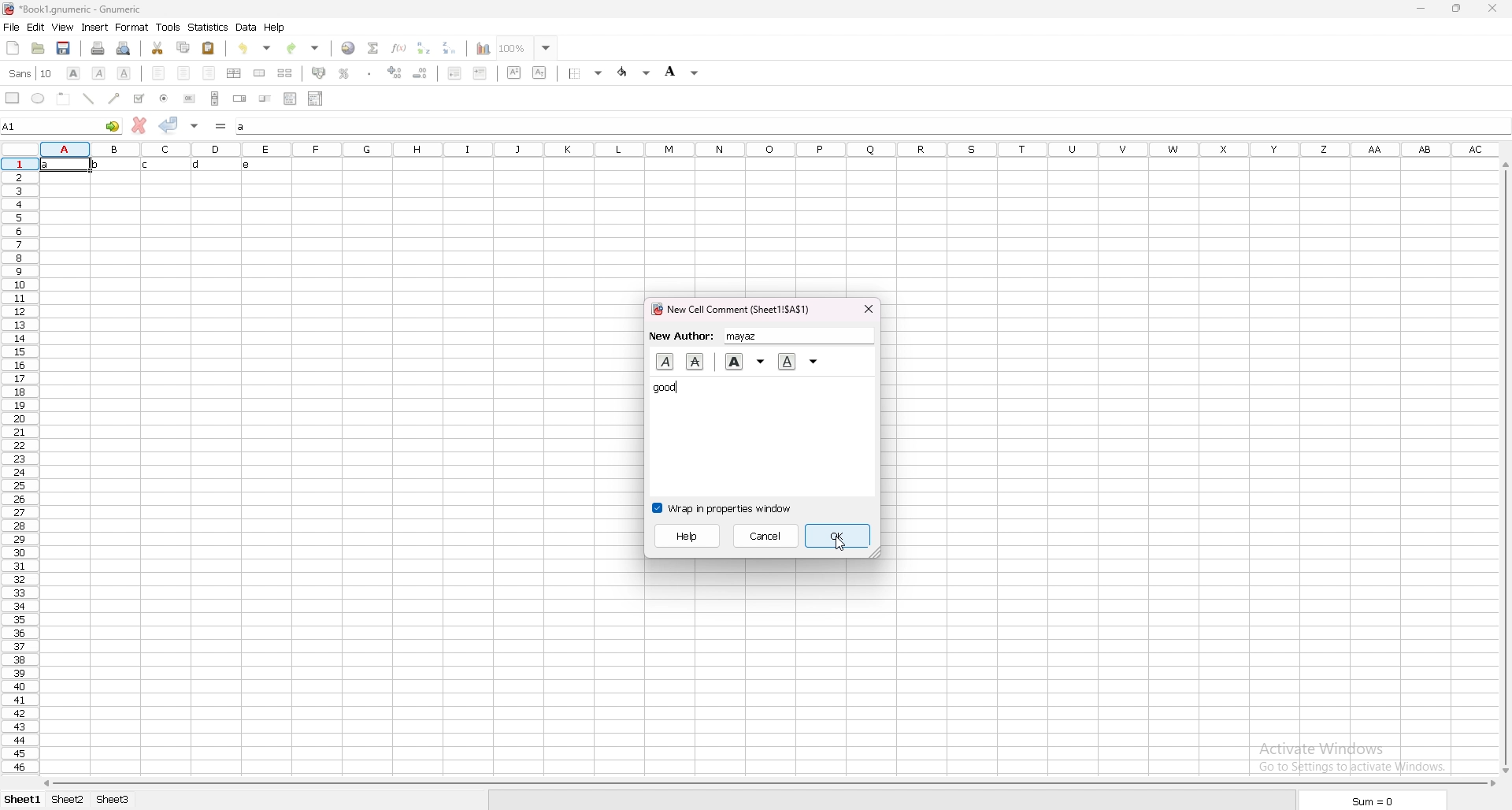 The width and height of the screenshot is (1512, 810). I want to click on accept change, so click(169, 124).